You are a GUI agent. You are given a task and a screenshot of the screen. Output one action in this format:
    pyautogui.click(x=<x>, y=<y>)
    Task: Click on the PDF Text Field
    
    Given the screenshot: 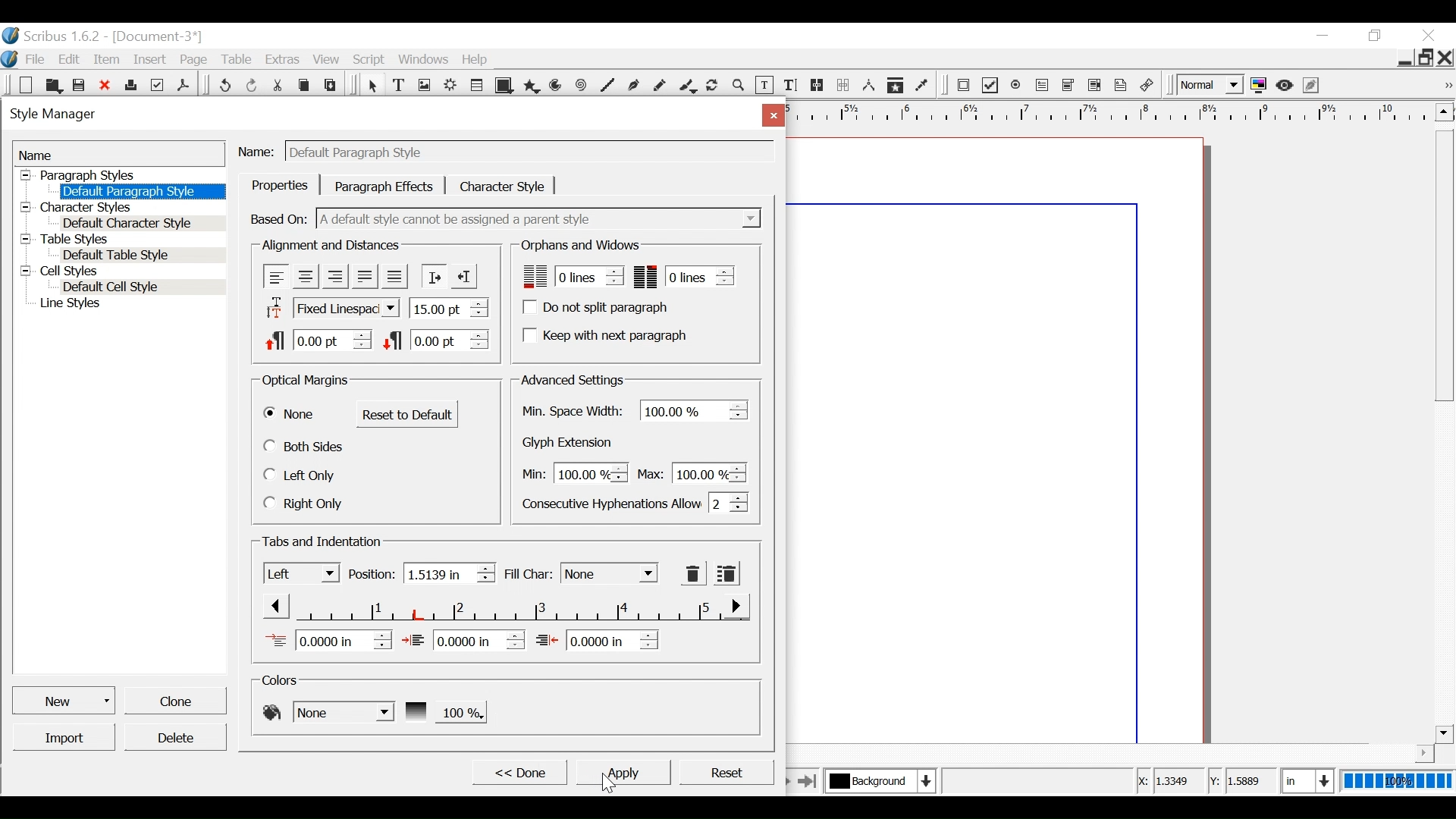 What is the action you would take?
    pyautogui.click(x=1043, y=86)
    